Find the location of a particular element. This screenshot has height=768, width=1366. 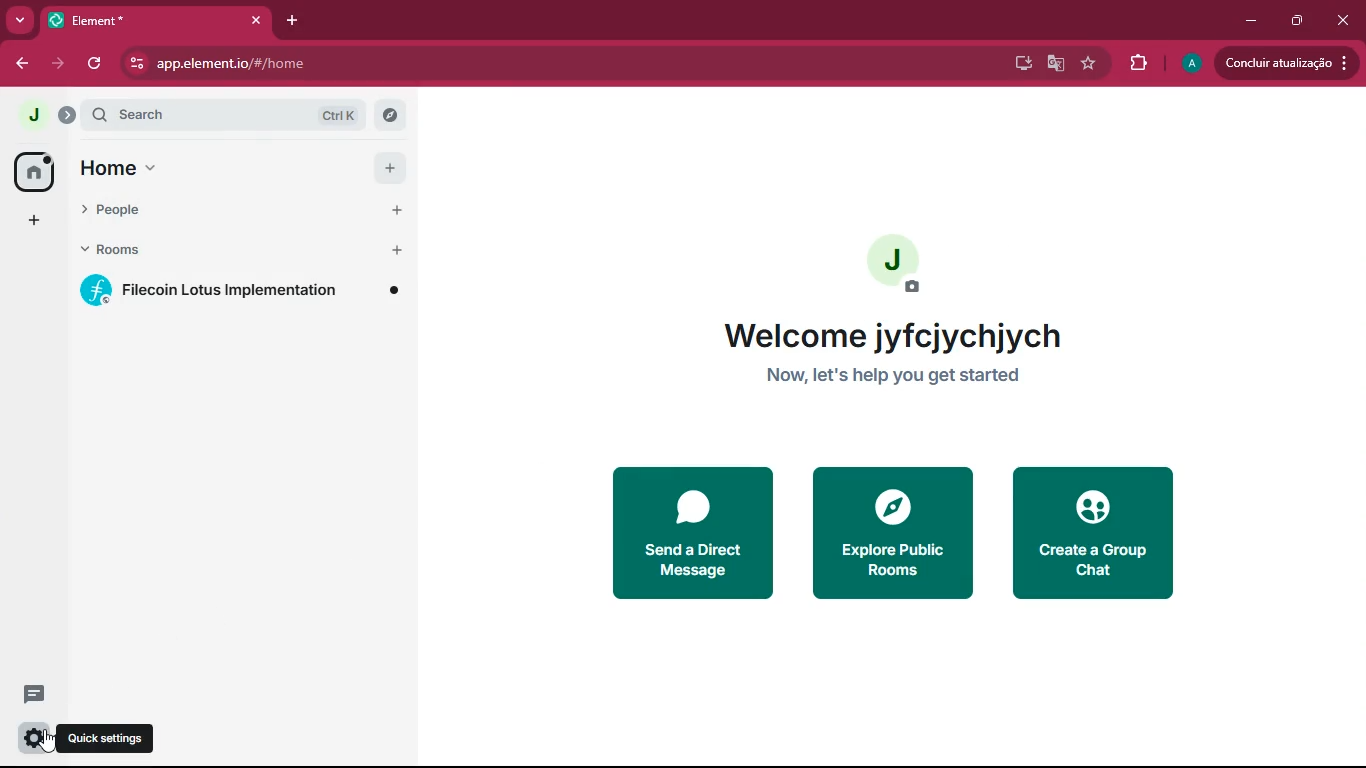

add button is located at coordinates (397, 208).